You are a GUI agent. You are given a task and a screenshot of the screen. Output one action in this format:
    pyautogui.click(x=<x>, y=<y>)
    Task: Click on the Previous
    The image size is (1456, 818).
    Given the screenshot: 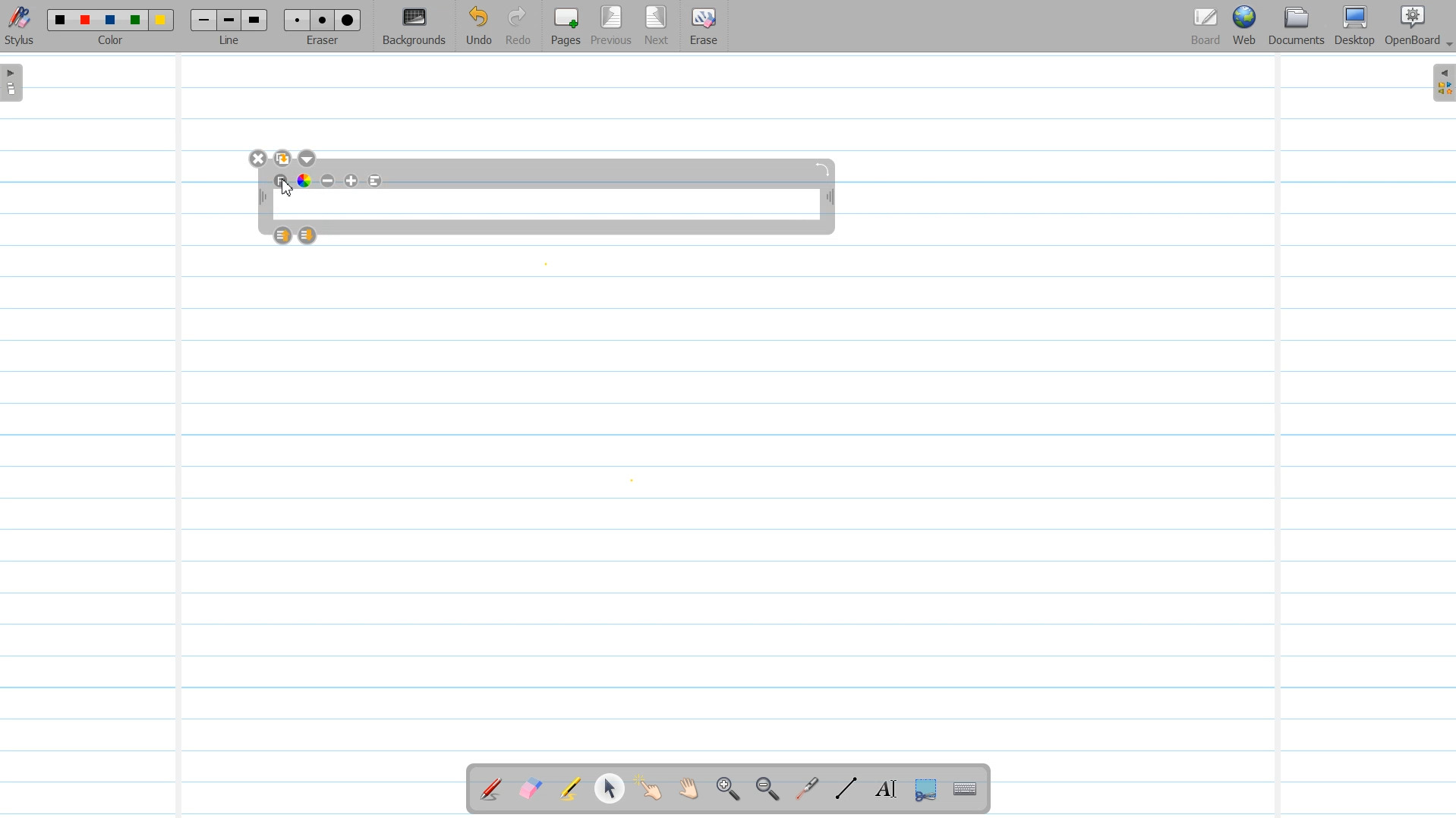 What is the action you would take?
    pyautogui.click(x=613, y=27)
    